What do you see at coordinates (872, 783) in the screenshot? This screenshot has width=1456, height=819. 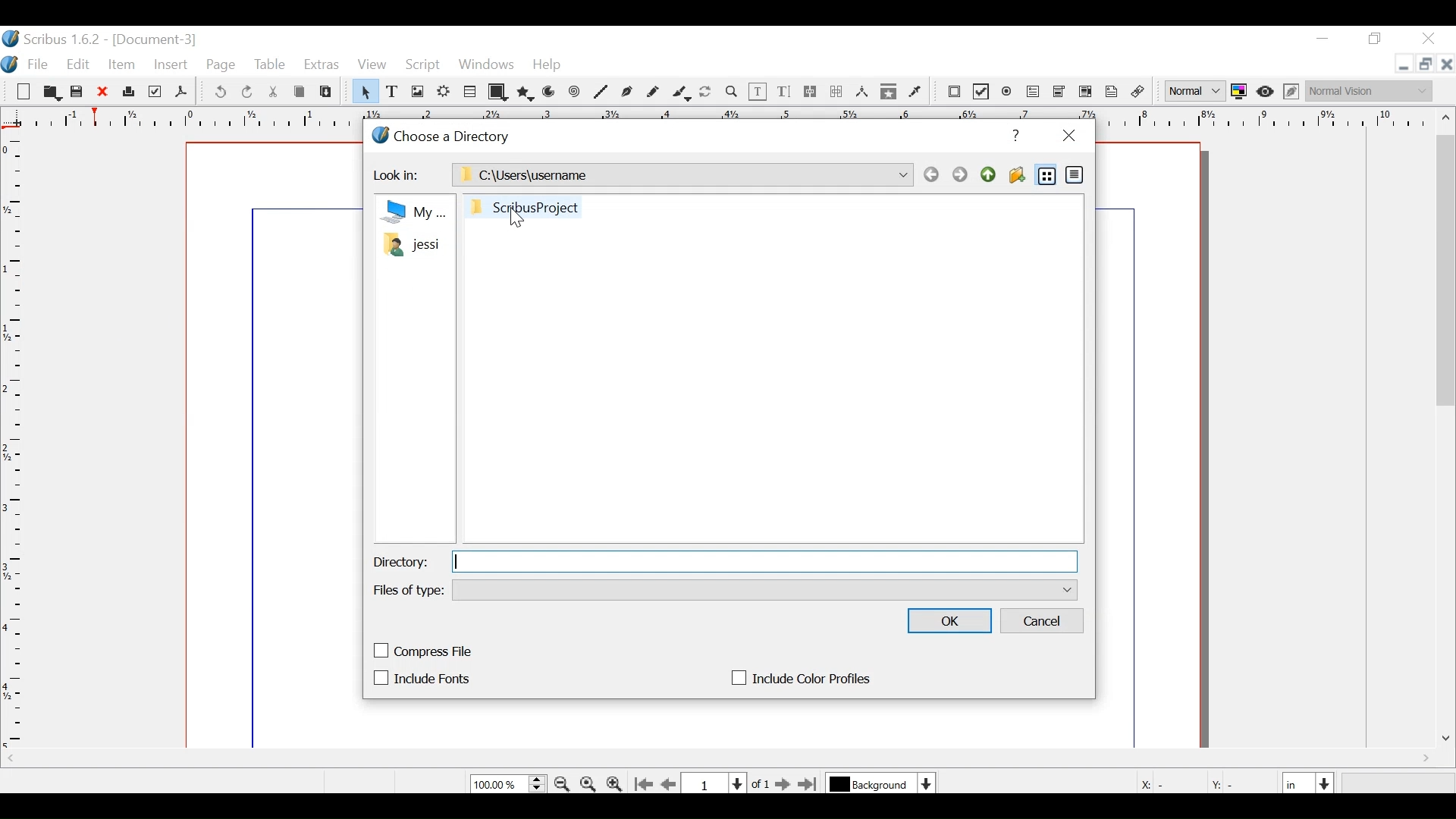 I see `Select the curent layer` at bounding box center [872, 783].